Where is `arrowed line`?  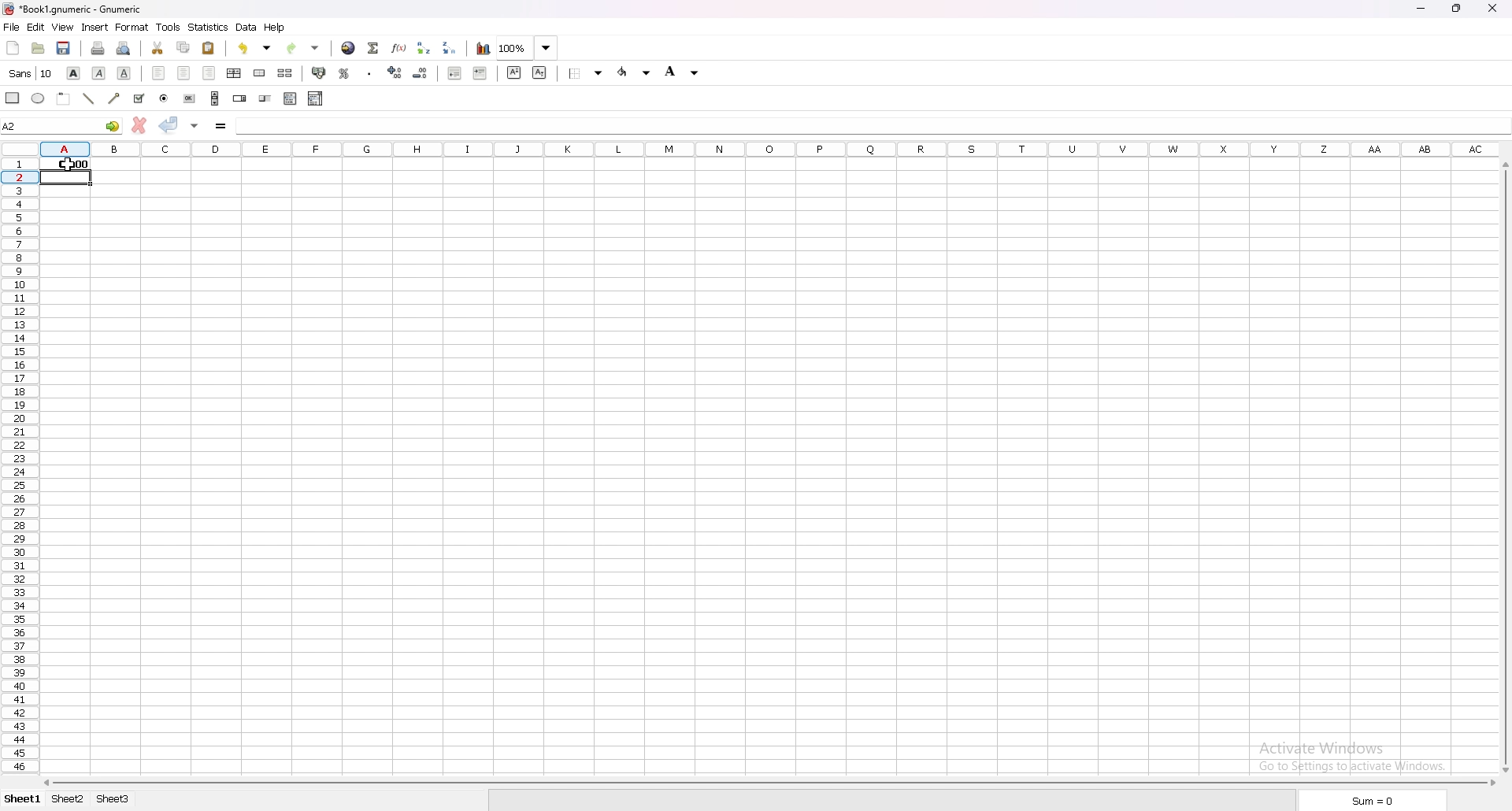
arrowed line is located at coordinates (115, 99).